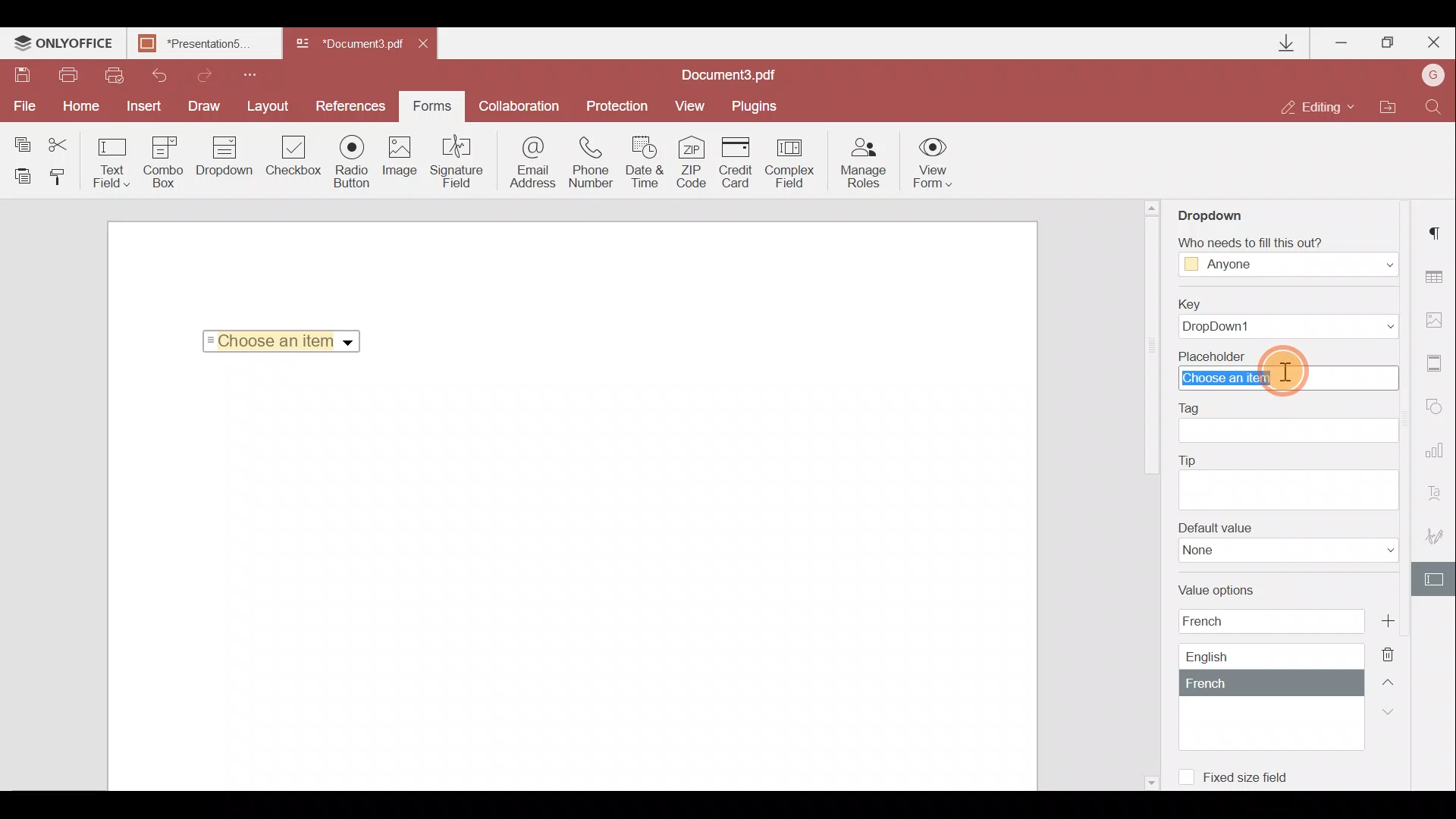  I want to click on Maximize, so click(1389, 42).